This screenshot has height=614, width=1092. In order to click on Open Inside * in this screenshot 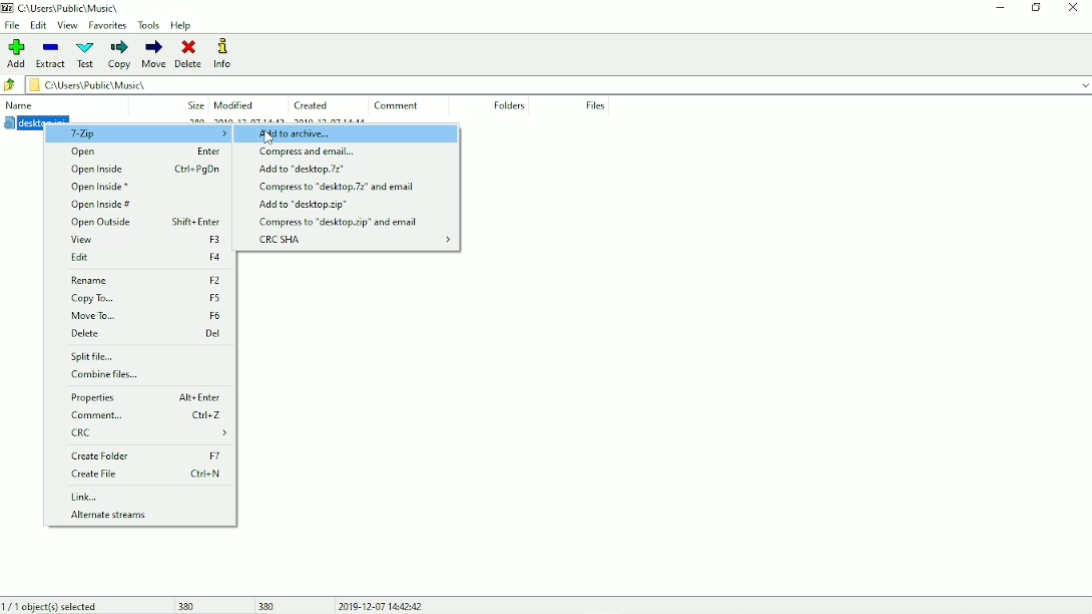, I will do `click(100, 186)`.